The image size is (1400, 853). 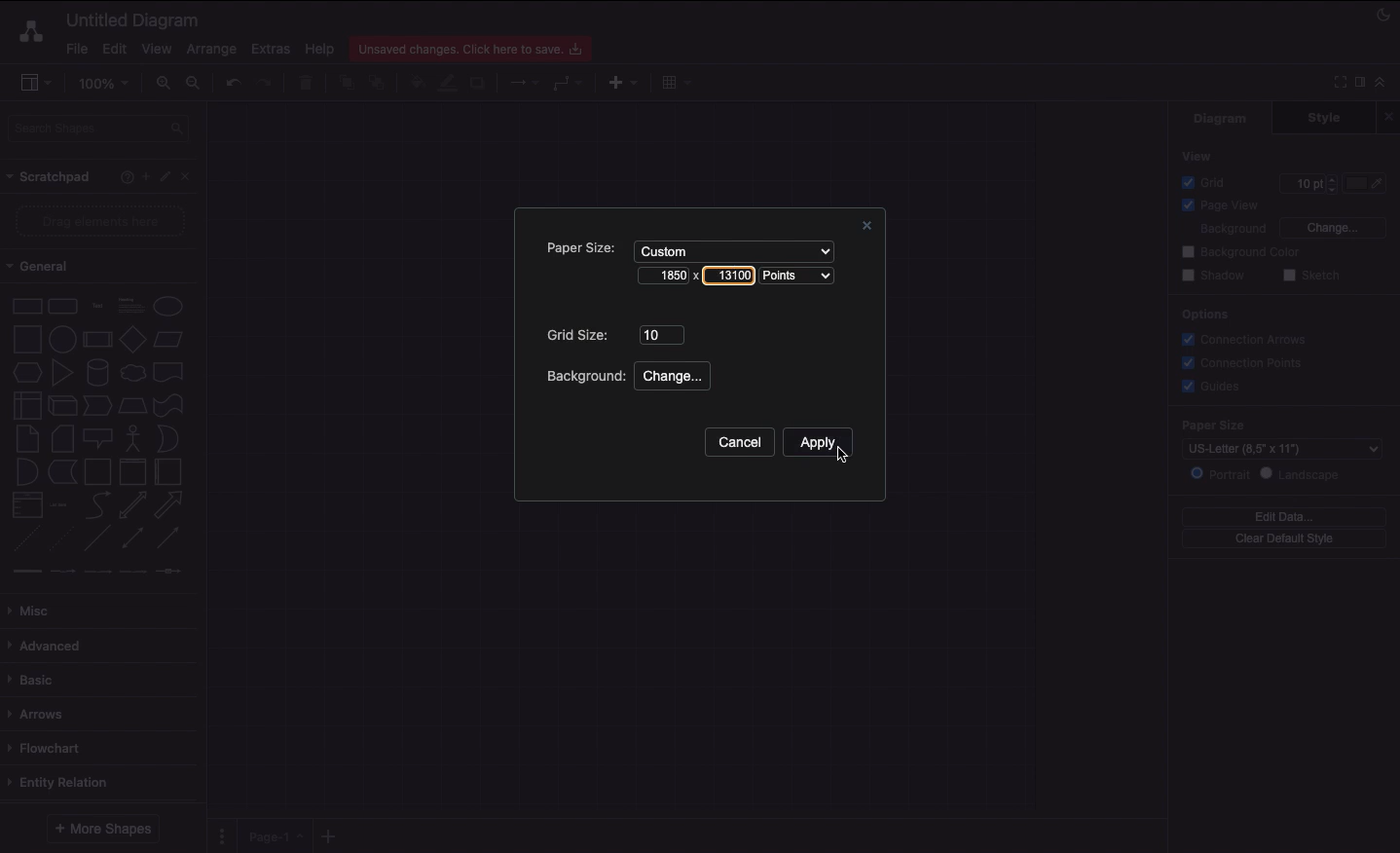 What do you see at coordinates (50, 177) in the screenshot?
I see `Scrathpad` at bounding box center [50, 177].